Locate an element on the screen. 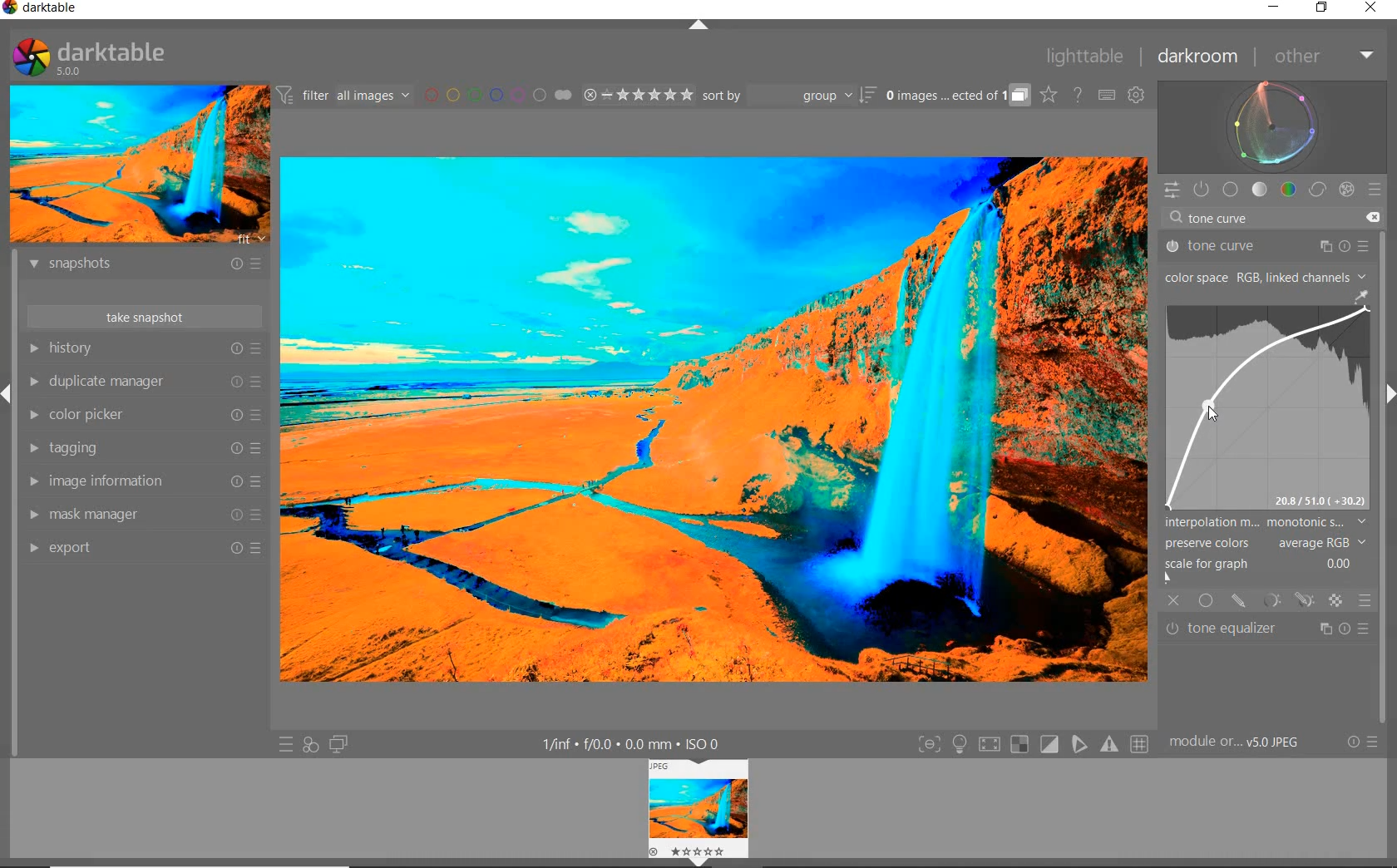  INTERPOLATION is located at coordinates (1266, 524).